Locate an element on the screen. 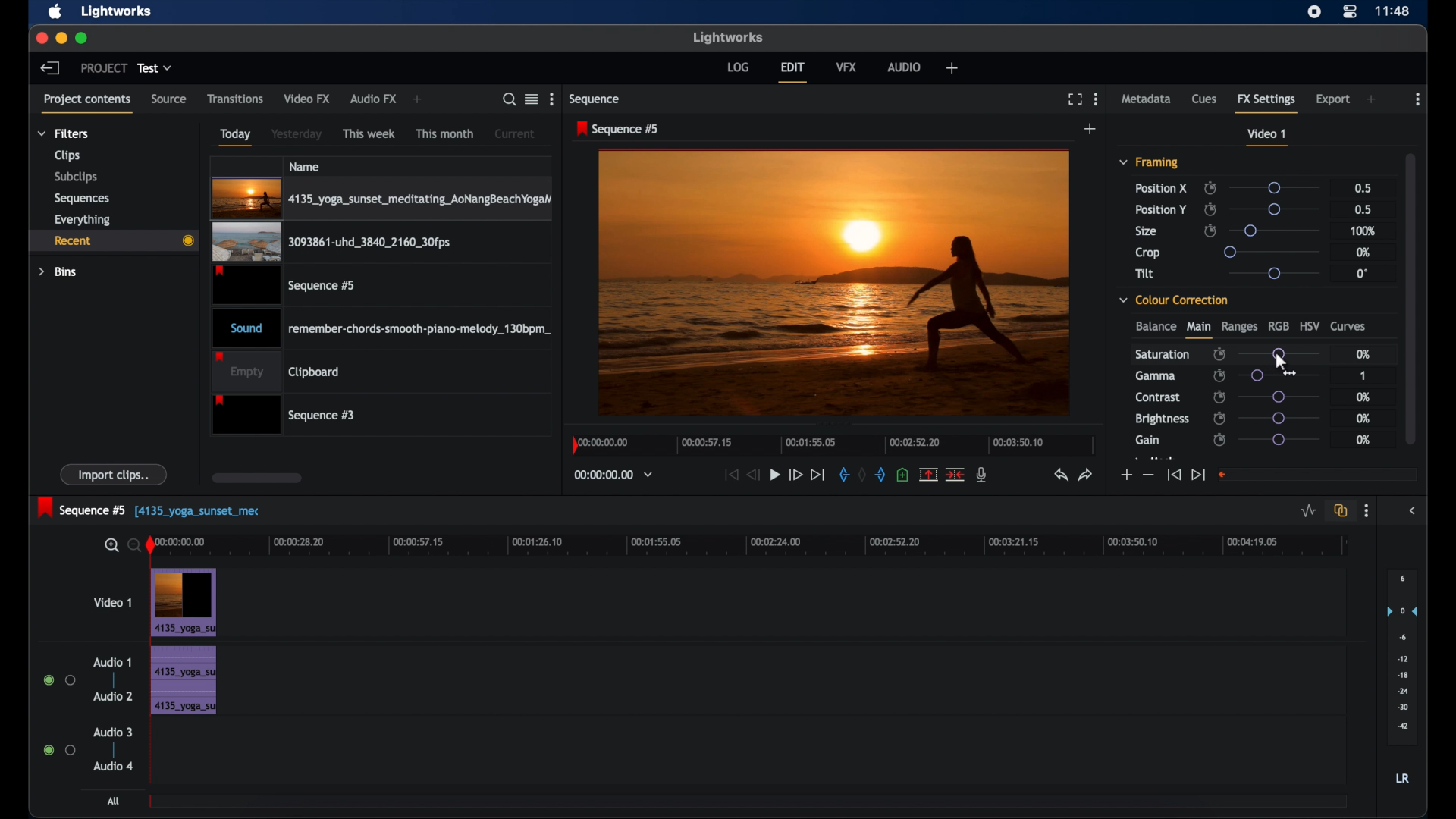 The width and height of the screenshot is (1456, 819). adduce at the current position is located at coordinates (902, 474).